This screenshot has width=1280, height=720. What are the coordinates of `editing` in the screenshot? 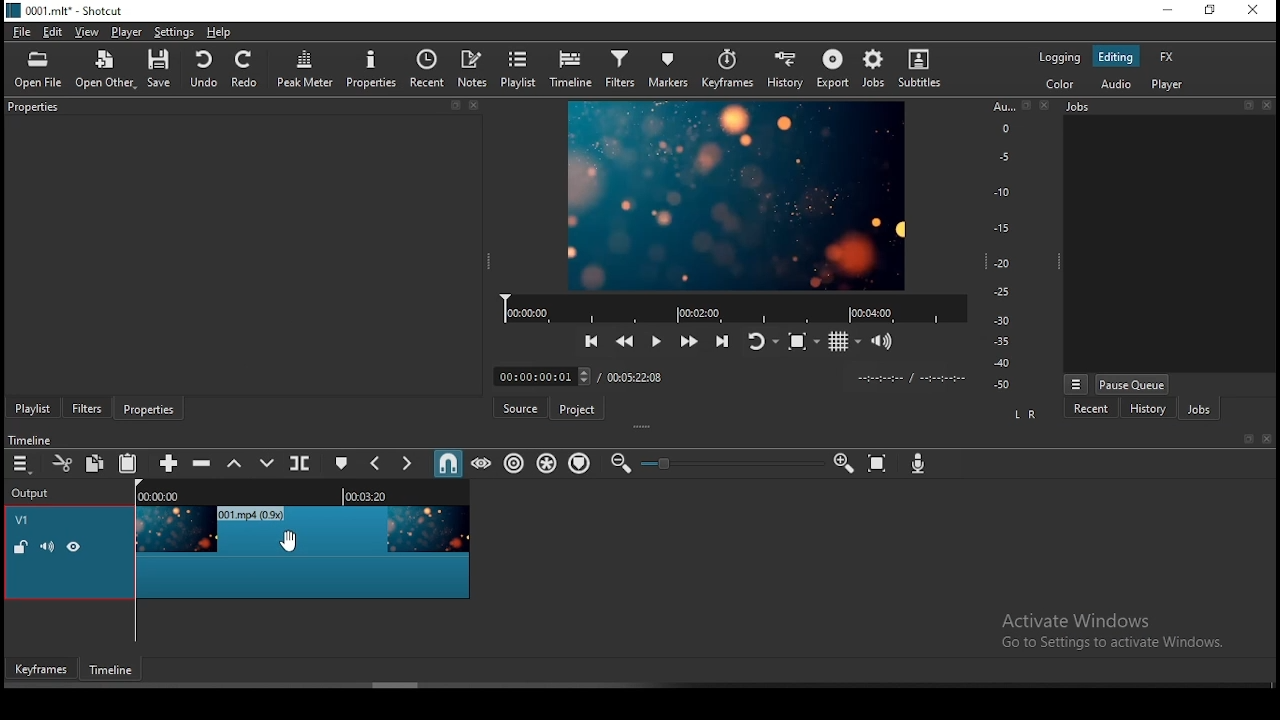 It's located at (1115, 58).